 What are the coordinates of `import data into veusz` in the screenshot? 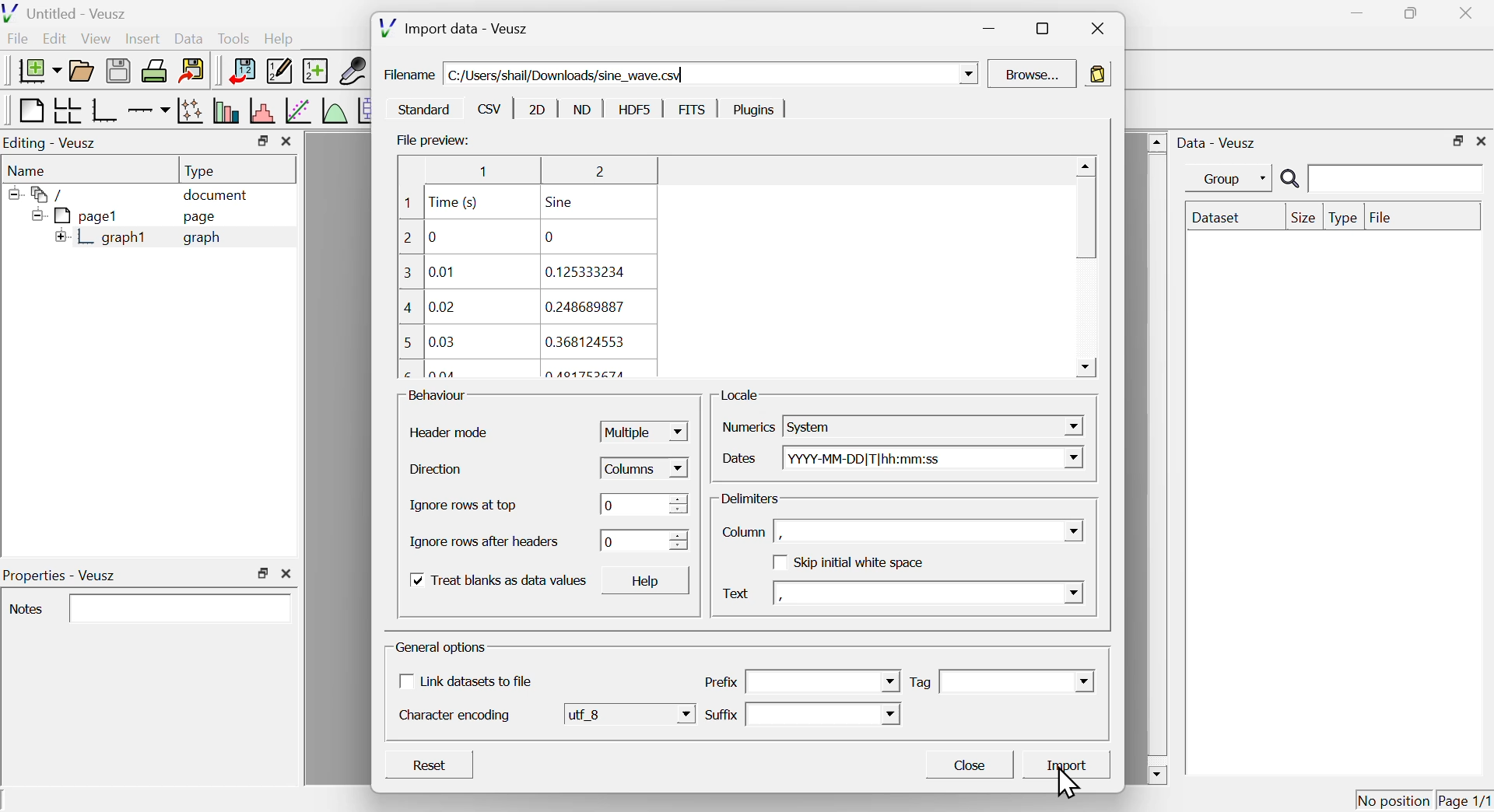 It's located at (240, 72).